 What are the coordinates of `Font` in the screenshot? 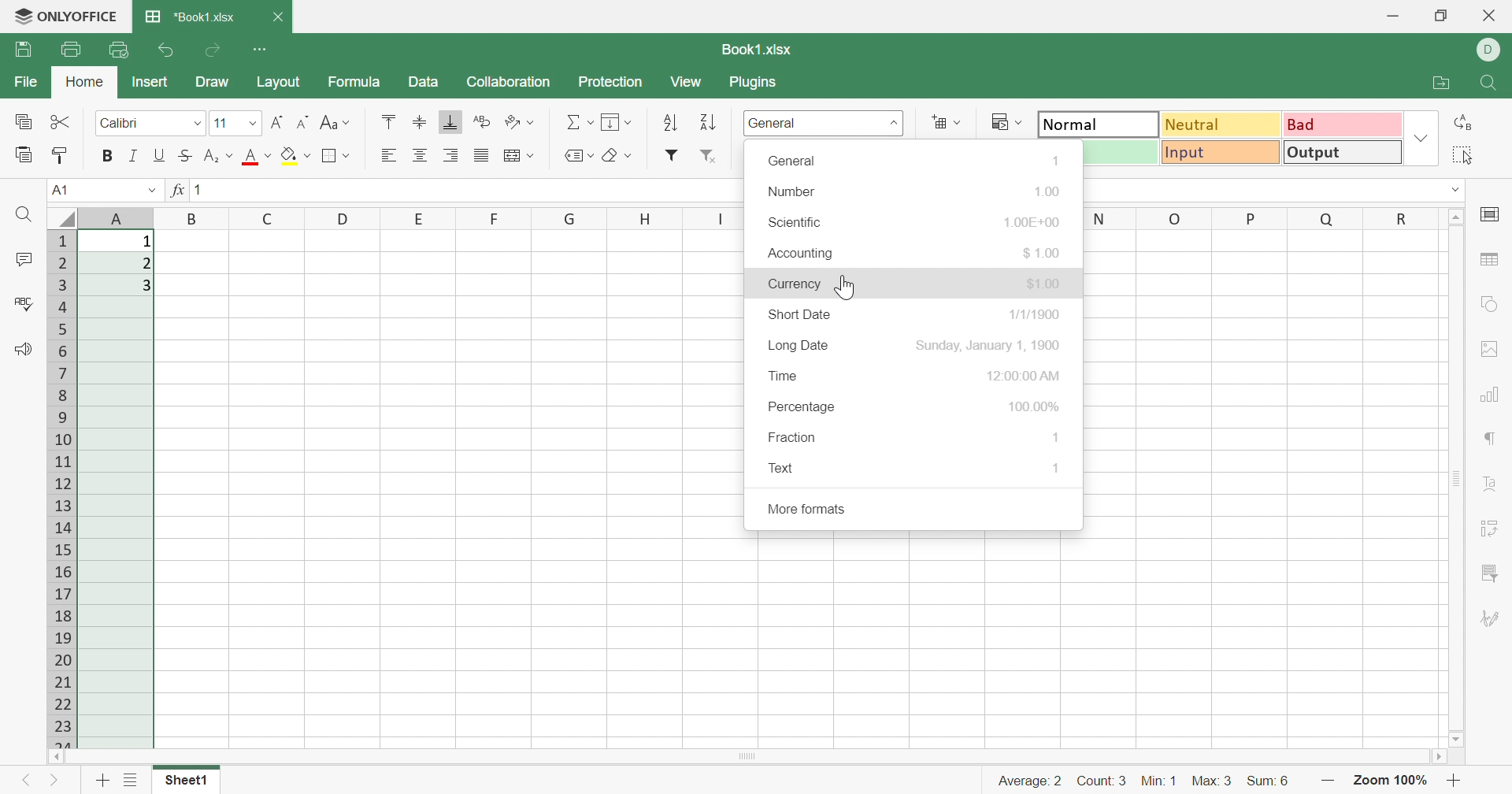 It's located at (150, 121).